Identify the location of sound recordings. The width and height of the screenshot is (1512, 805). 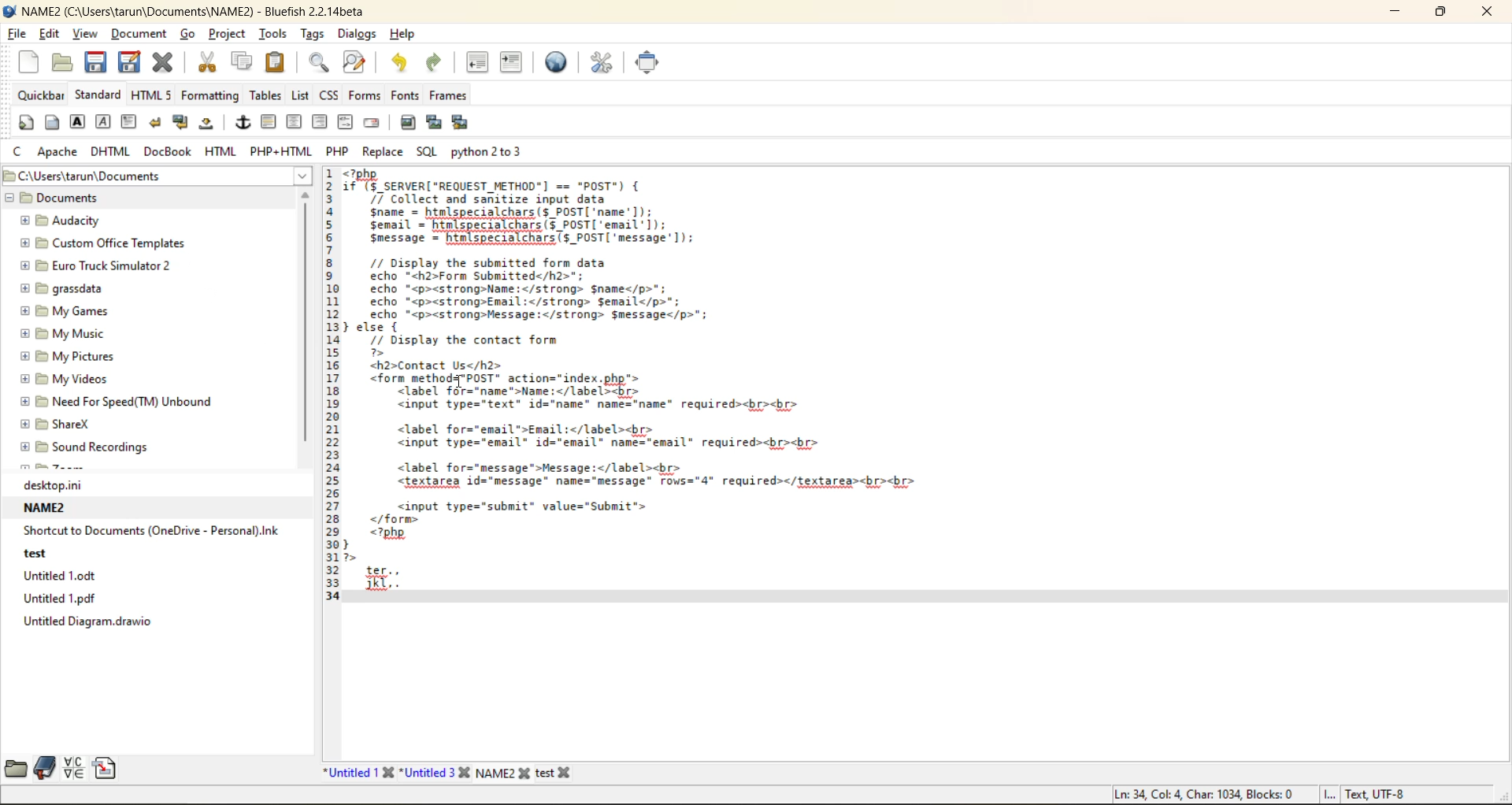
(102, 448).